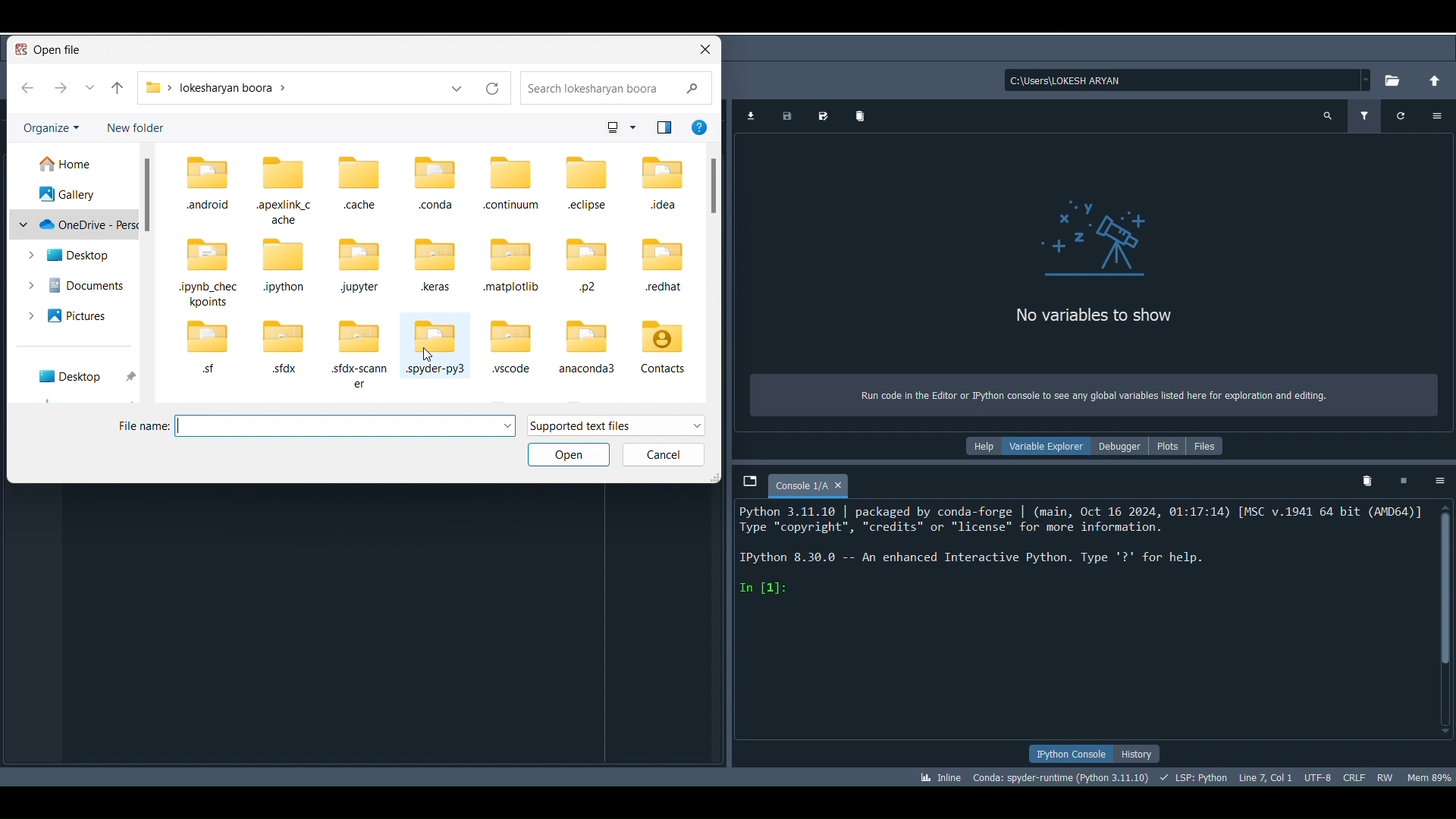 This screenshot has height=819, width=1456. Describe the element at coordinates (209, 345) in the screenshot. I see `Folder` at that location.